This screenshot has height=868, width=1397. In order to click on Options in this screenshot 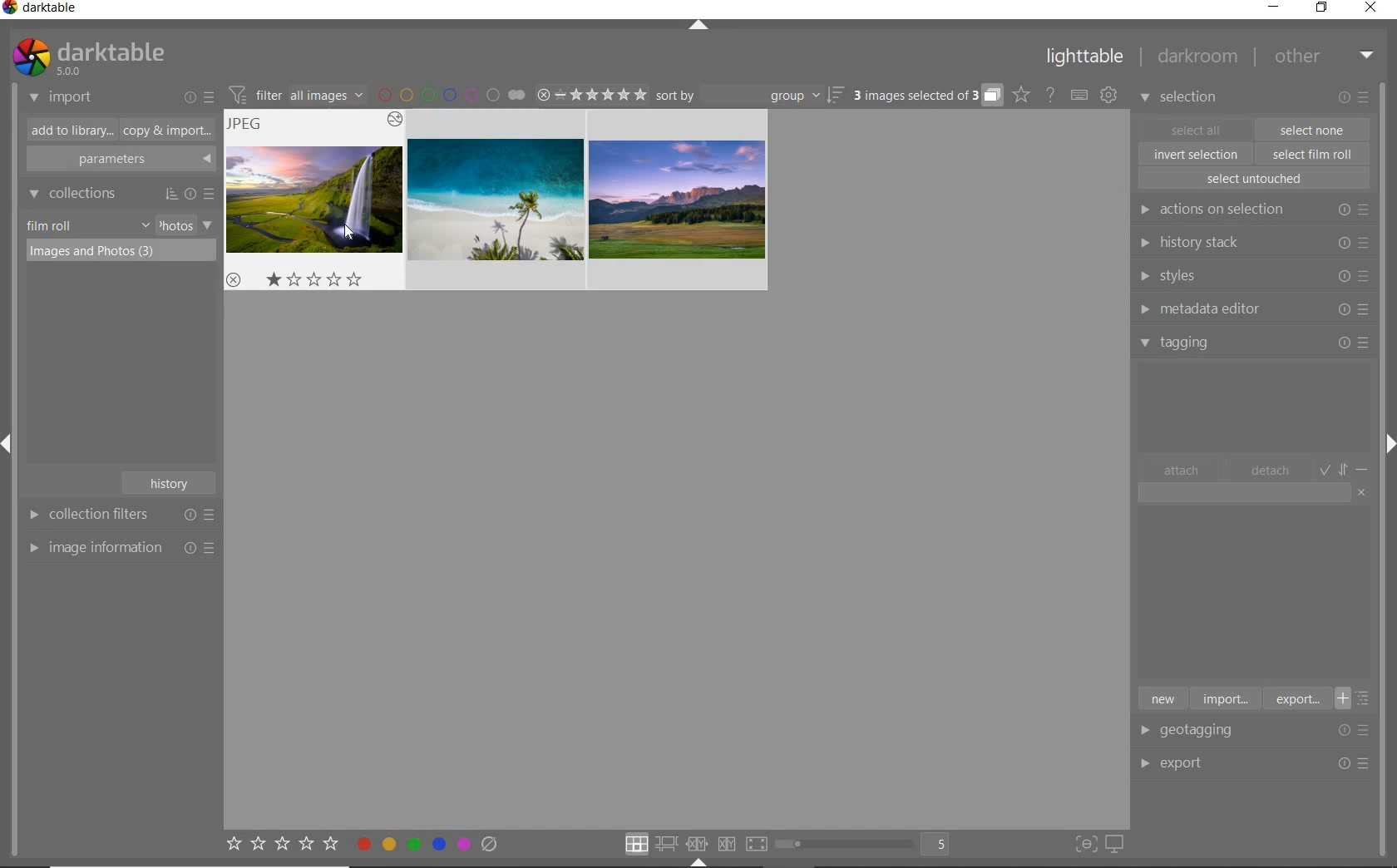, I will do `click(1359, 730)`.